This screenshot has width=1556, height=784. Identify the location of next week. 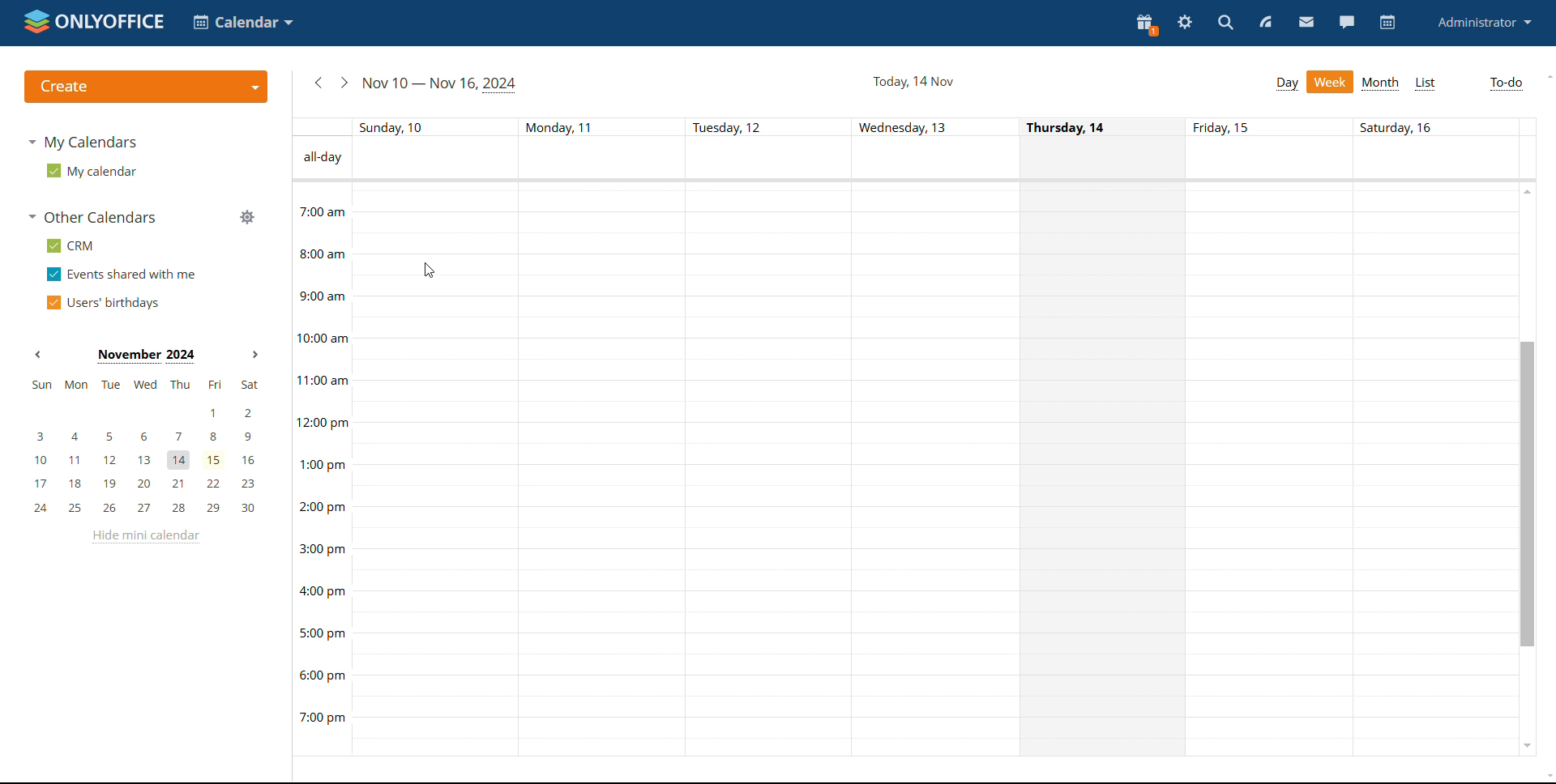
(342, 83).